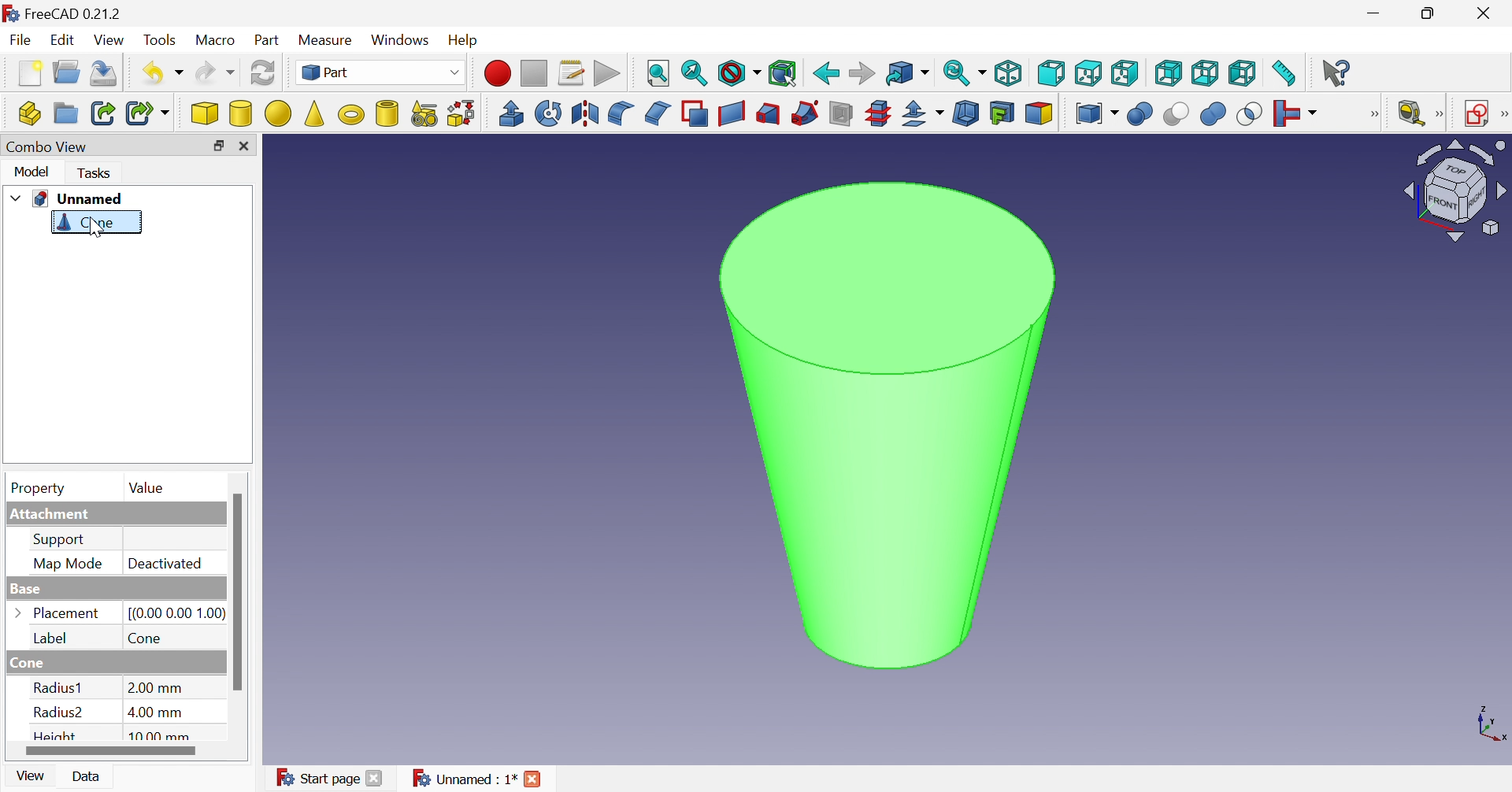  What do you see at coordinates (51, 513) in the screenshot?
I see `Attachment` at bounding box center [51, 513].